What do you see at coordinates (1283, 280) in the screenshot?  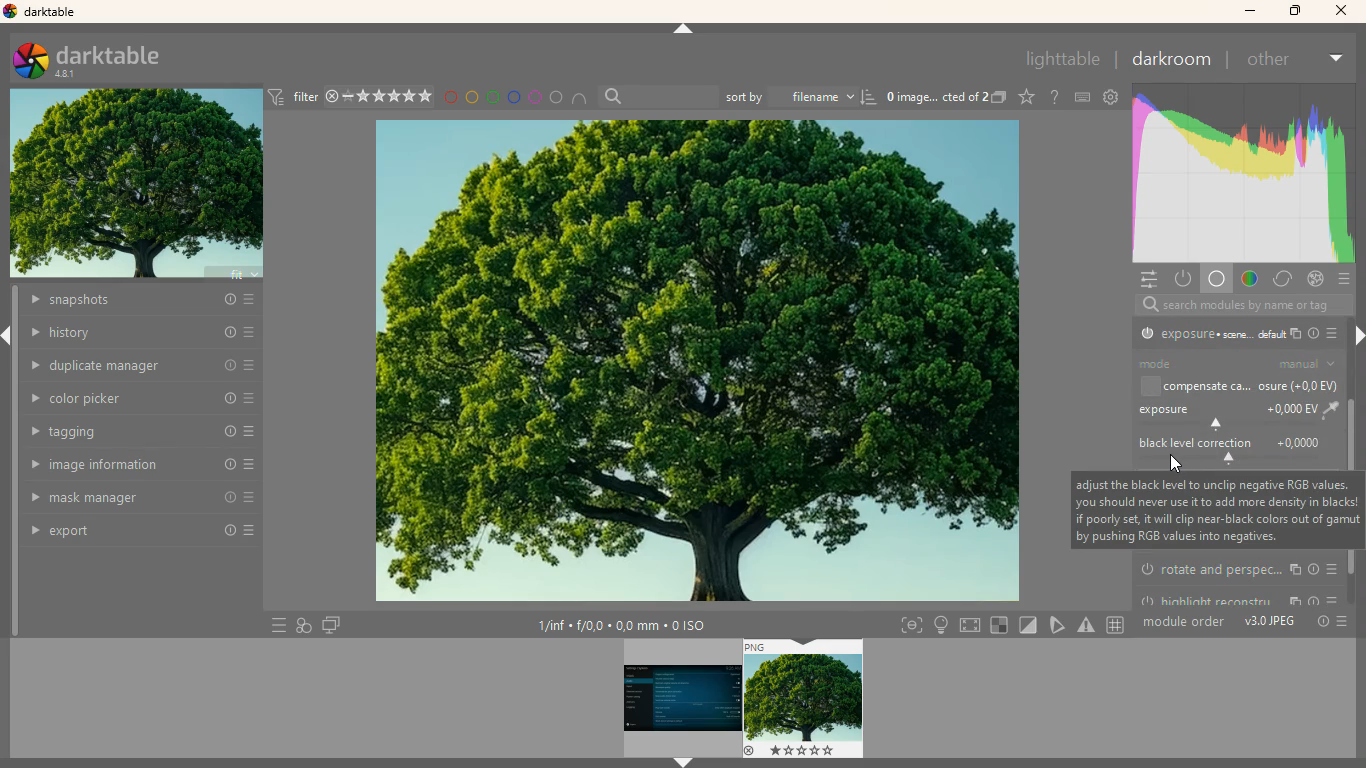 I see `change` at bounding box center [1283, 280].